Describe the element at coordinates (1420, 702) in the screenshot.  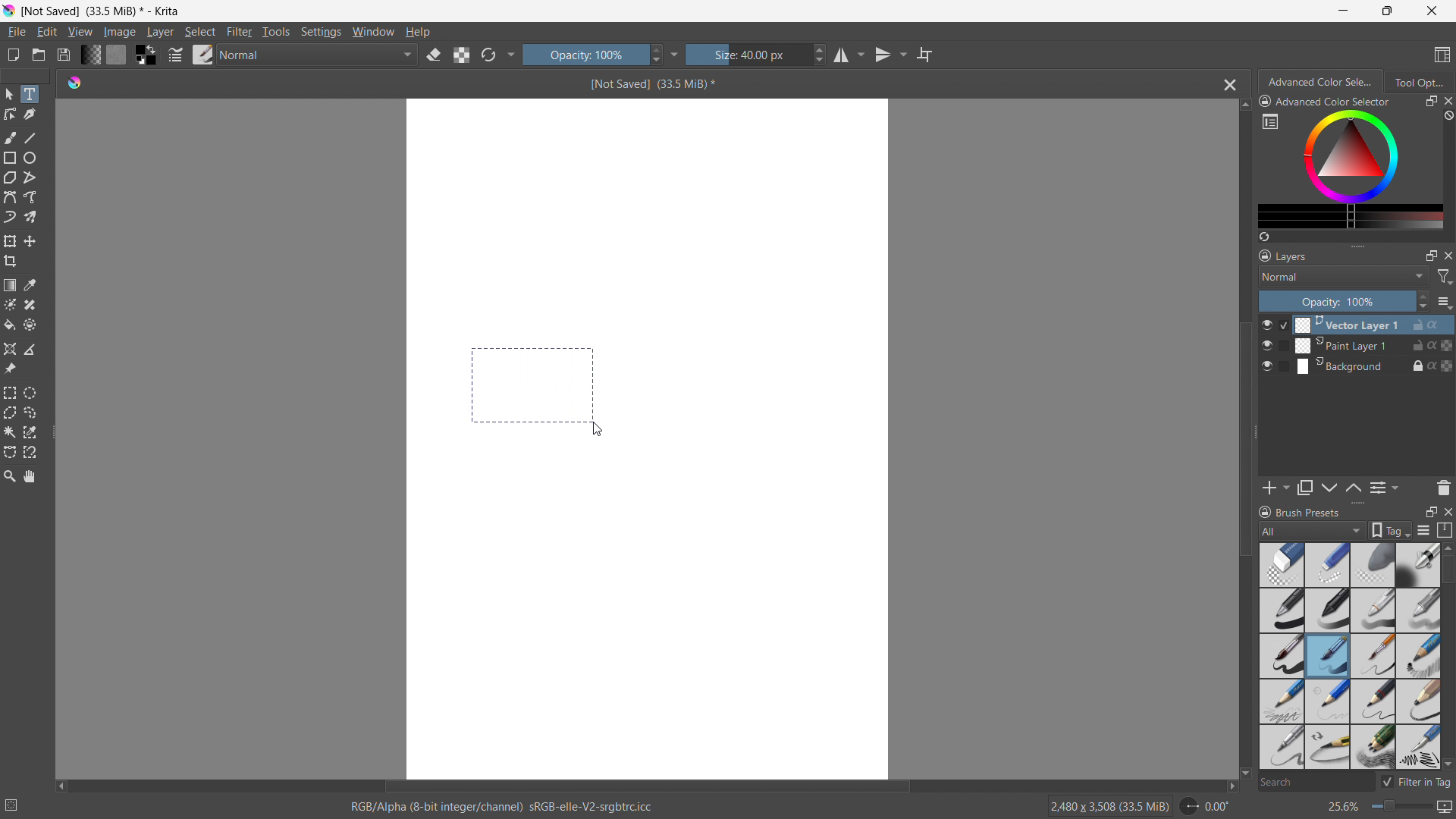
I see `bold pencil` at that location.